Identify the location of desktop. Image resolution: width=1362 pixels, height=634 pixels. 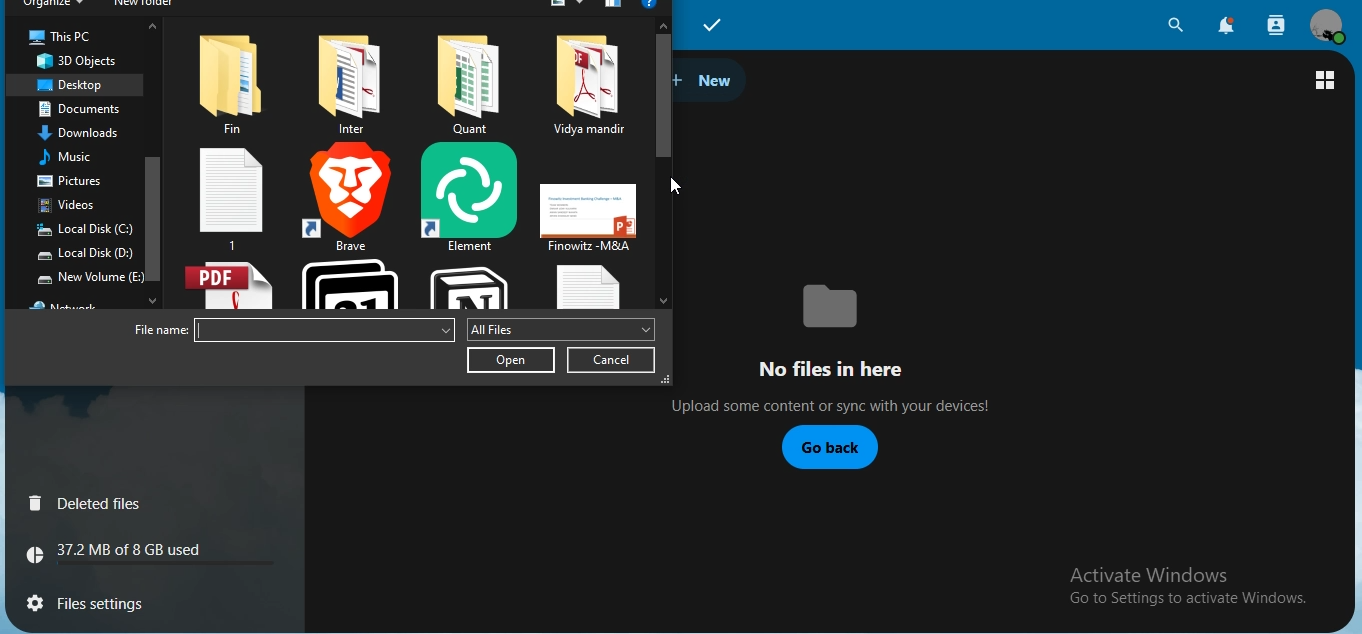
(70, 86).